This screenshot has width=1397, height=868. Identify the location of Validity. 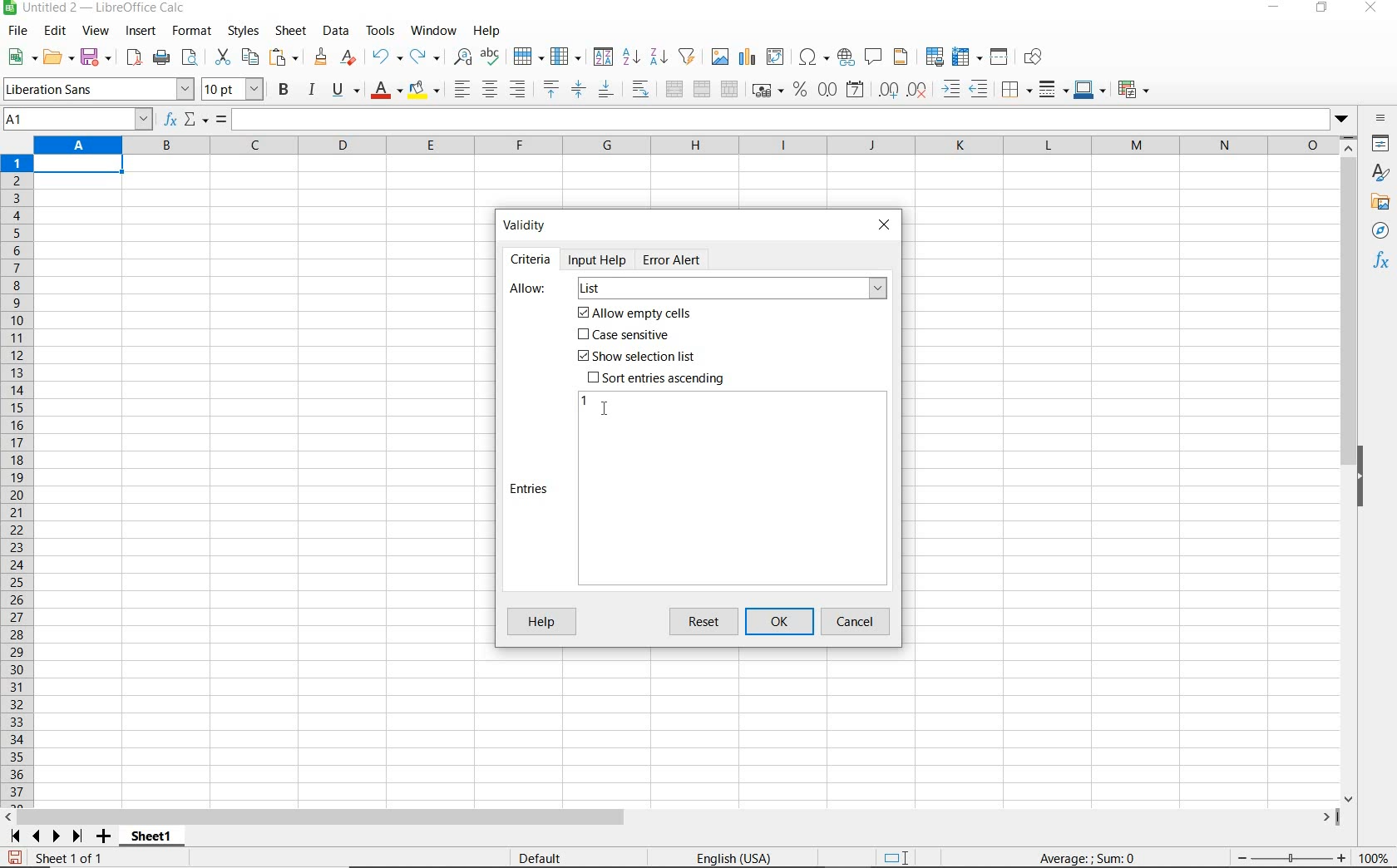
(526, 224).